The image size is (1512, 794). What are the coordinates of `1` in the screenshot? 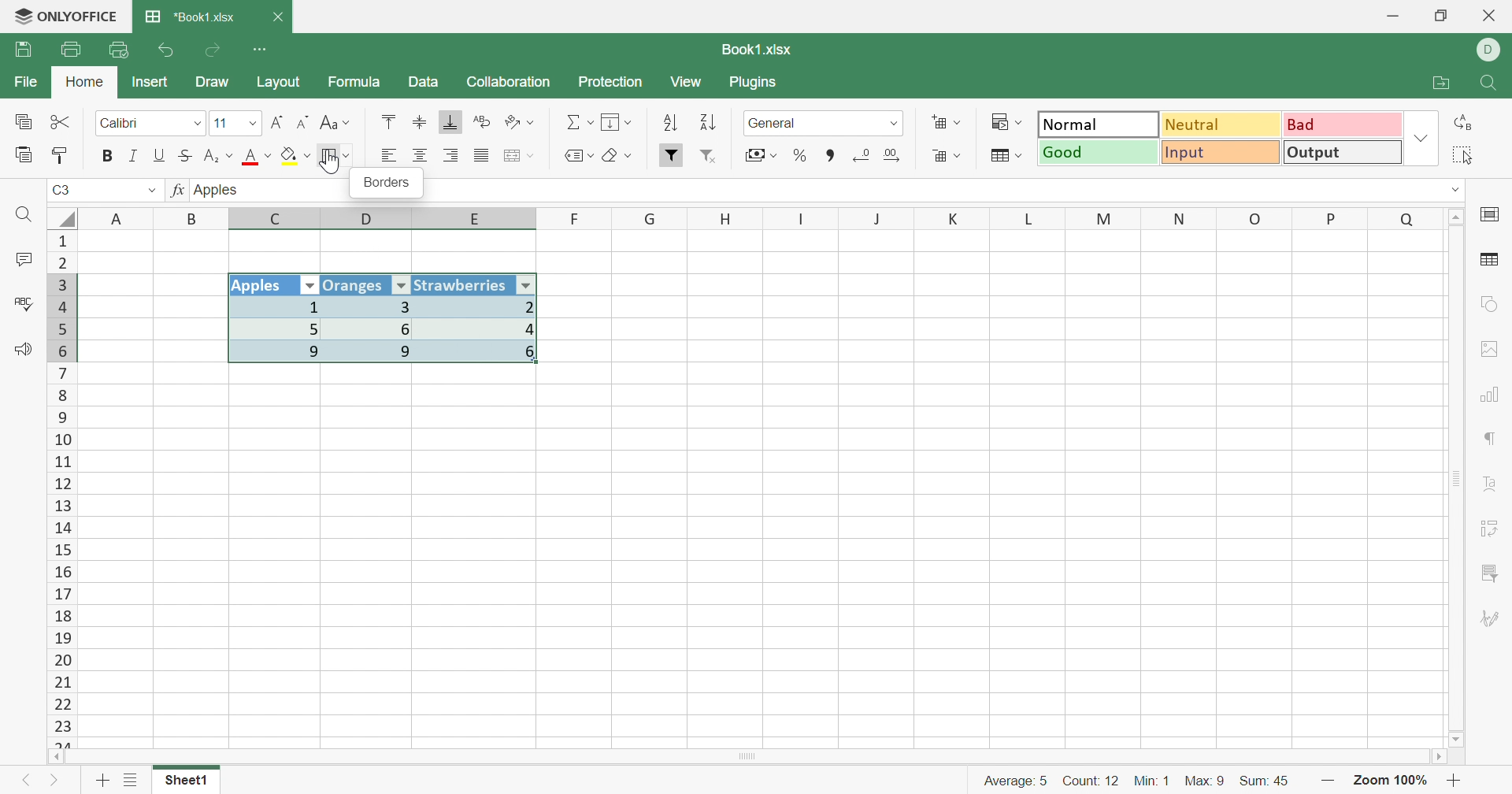 It's located at (273, 307).